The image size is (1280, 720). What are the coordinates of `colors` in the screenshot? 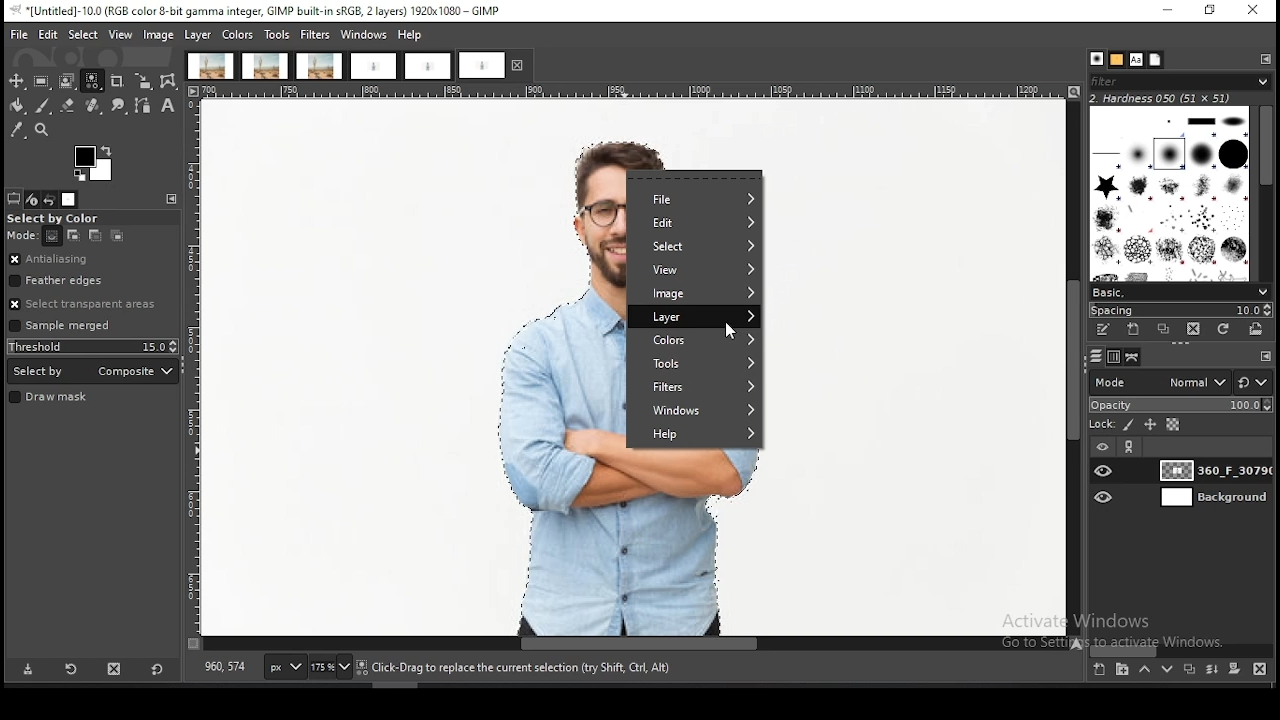 It's located at (696, 339).